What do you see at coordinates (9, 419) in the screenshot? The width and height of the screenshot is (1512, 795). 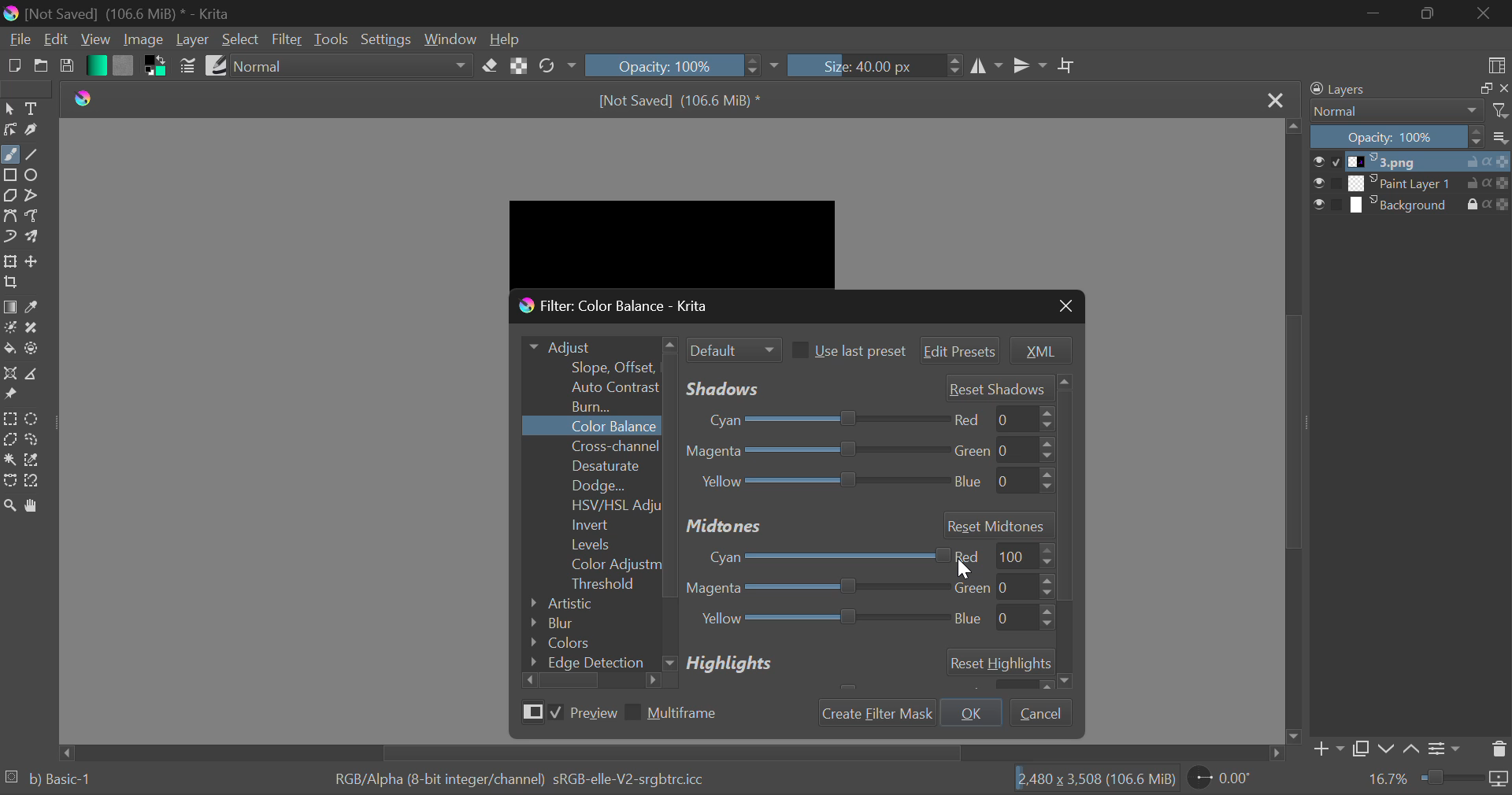 I see `Rectangle Selection` at bounding box center [9, 419].